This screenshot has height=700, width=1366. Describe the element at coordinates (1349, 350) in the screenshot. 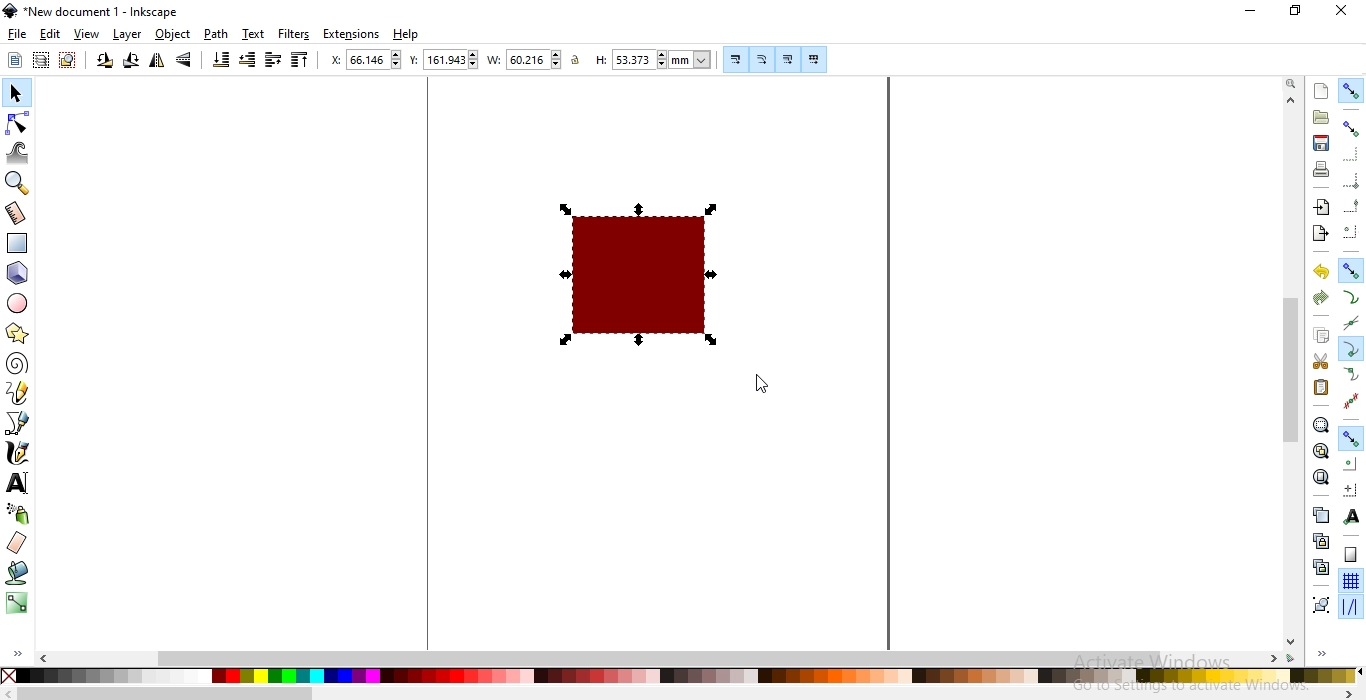

I see `nap to cusp nodes` at that location.